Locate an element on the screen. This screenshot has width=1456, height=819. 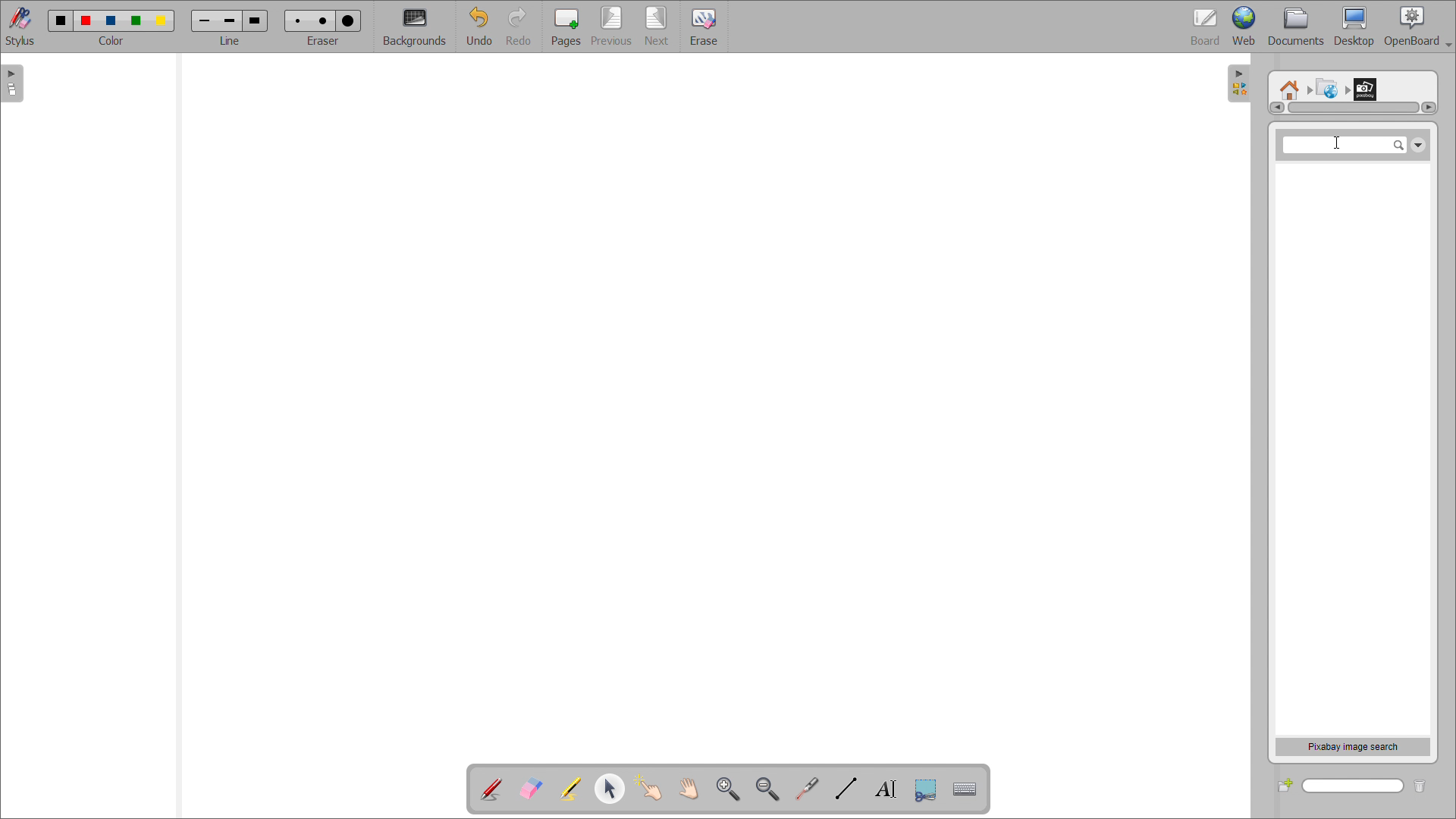
delete is located at coordinates (1426, 784).